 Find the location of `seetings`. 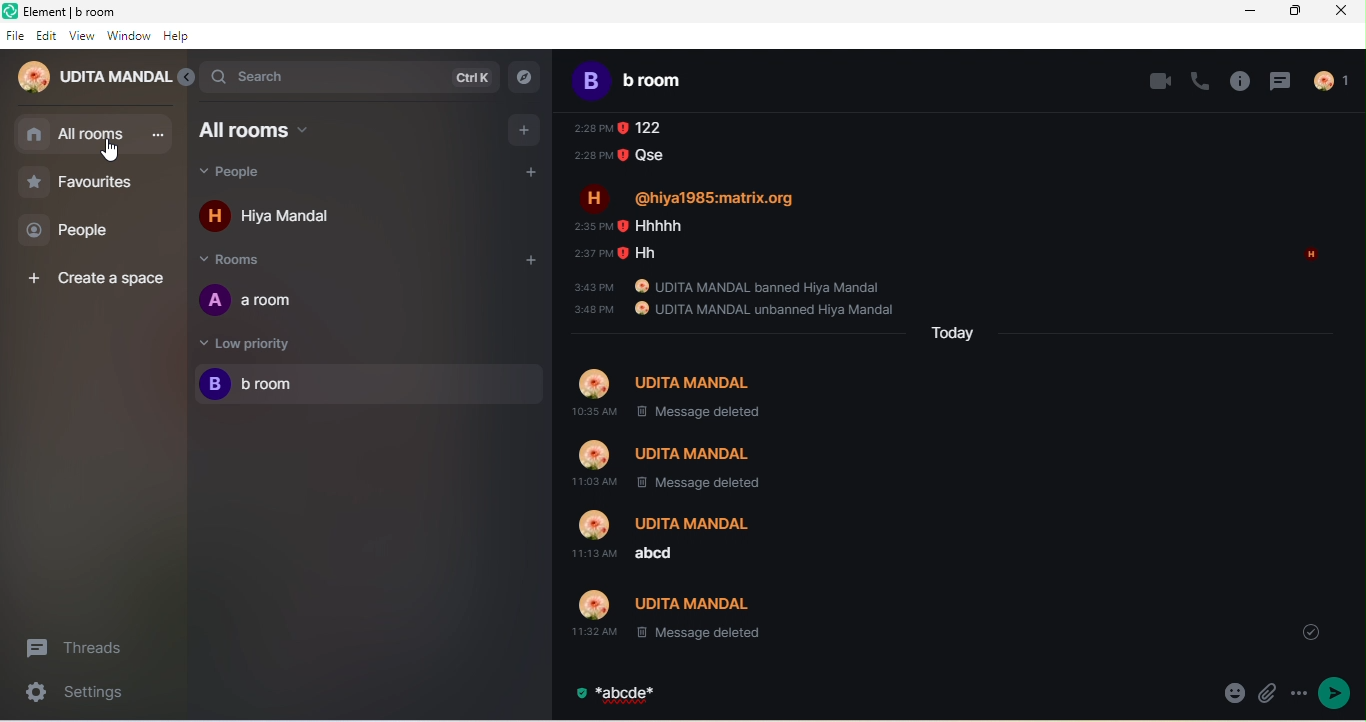

seetings is located at coordinates (88, 695).